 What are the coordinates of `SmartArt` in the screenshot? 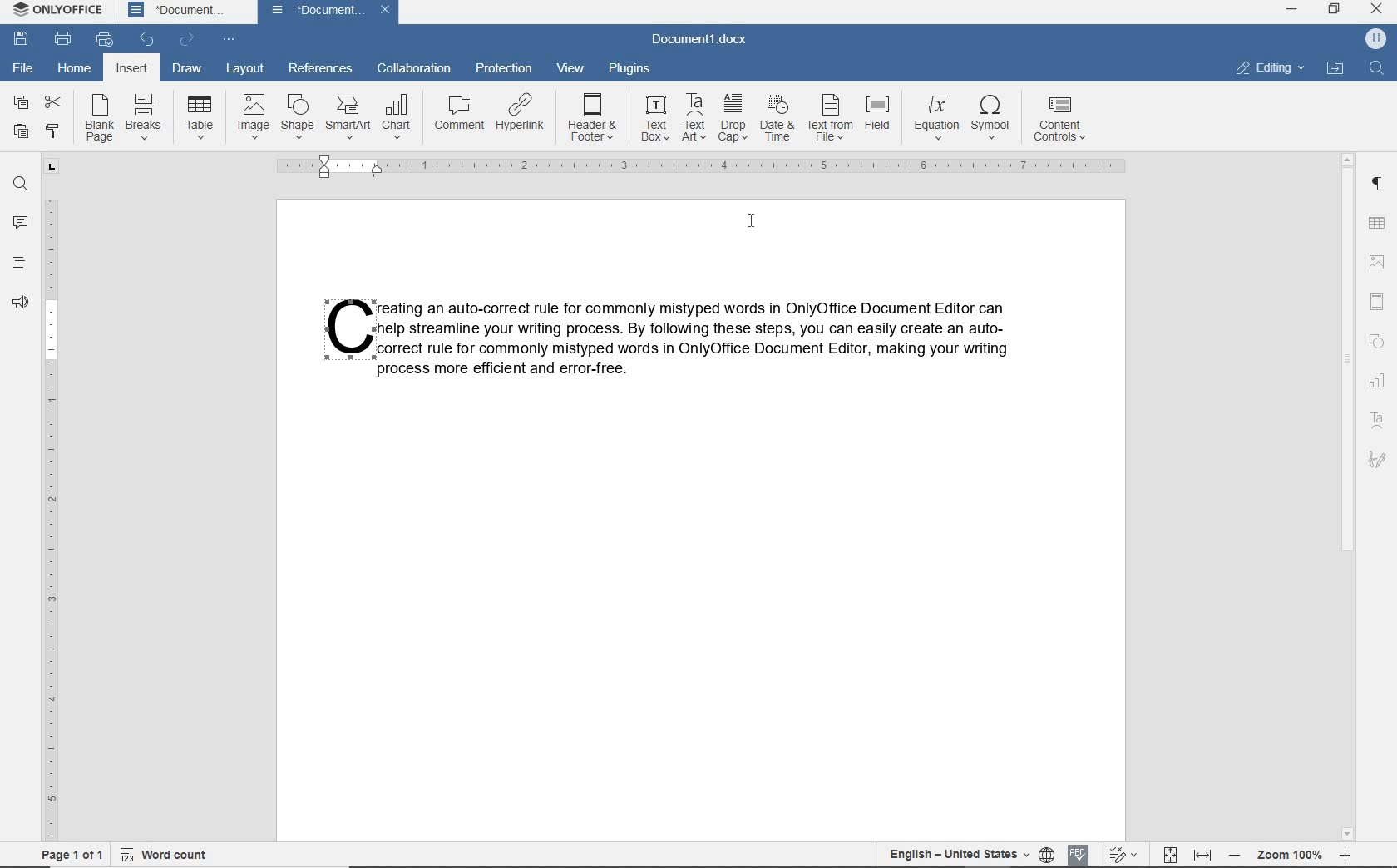 It's located at (348, 116).